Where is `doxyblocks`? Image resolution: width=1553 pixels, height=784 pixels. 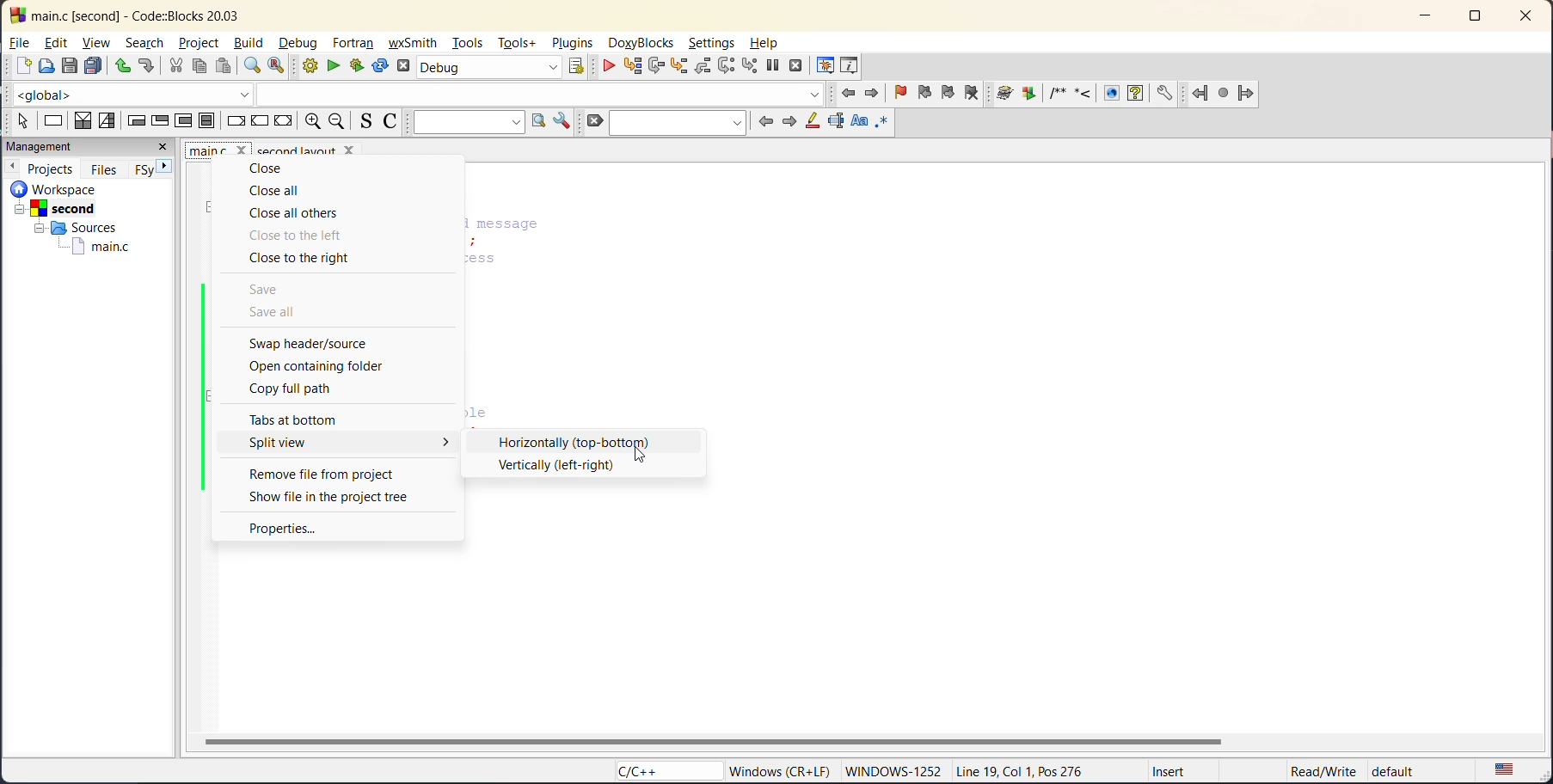
doxyblocks is located at coordinates (642, 43).